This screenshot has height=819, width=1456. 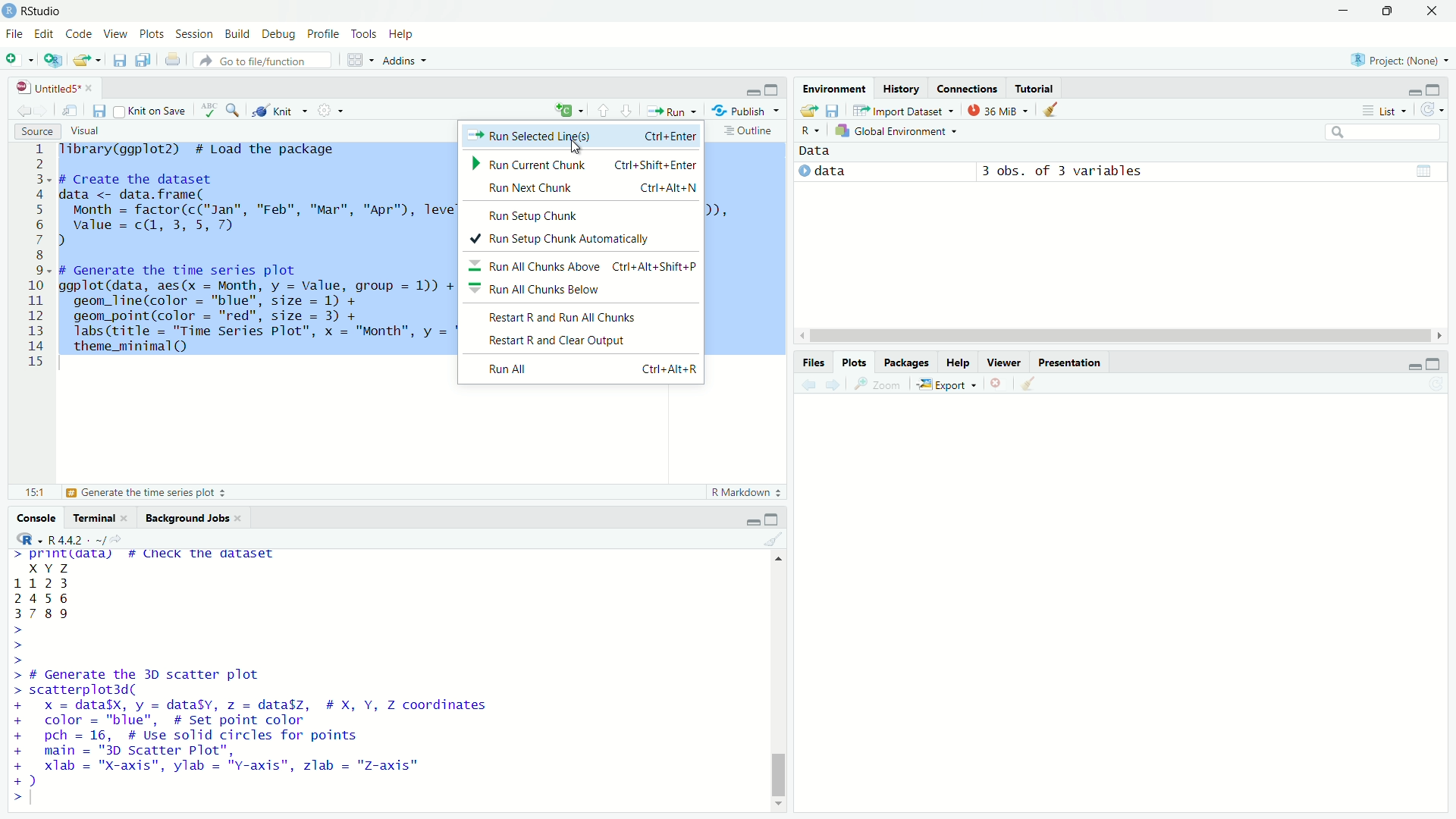 What do you see at coordinates (748, 519) in the screenshot?
I see `minimize` at bounding box center [748, 519].